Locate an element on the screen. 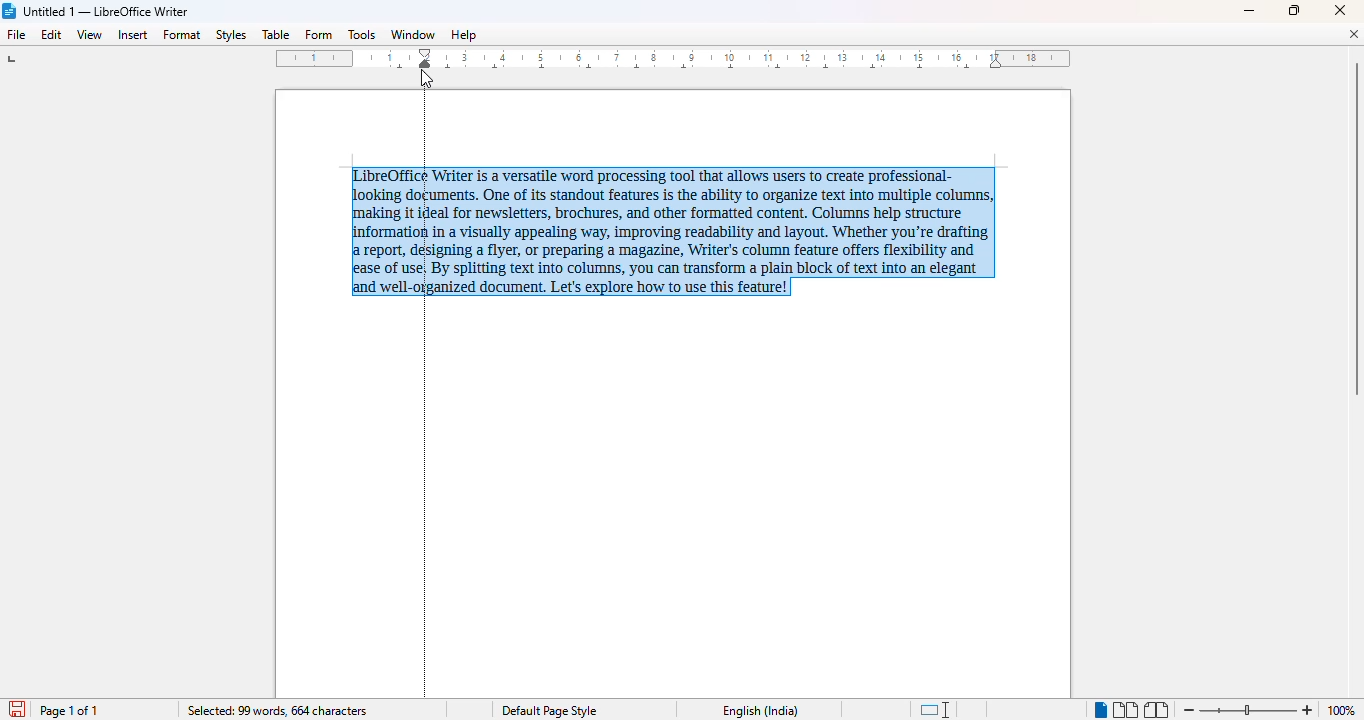  ruler is located at coordinates (675, 59).